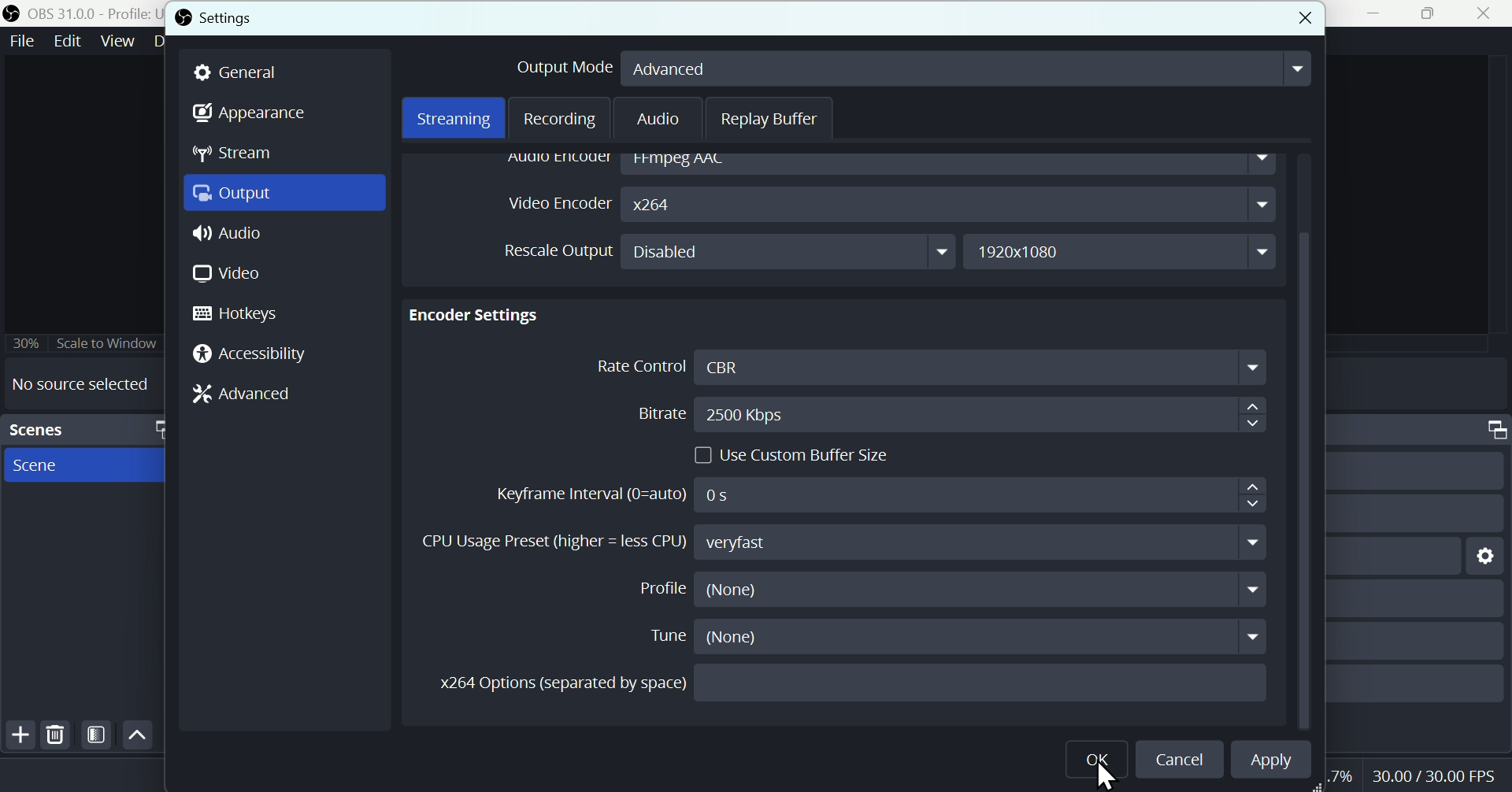 This screenshot has height=792, width=1512. Describe the element at coordinates (910, 71) in the screenshot. I see `Output Mode` at that location.